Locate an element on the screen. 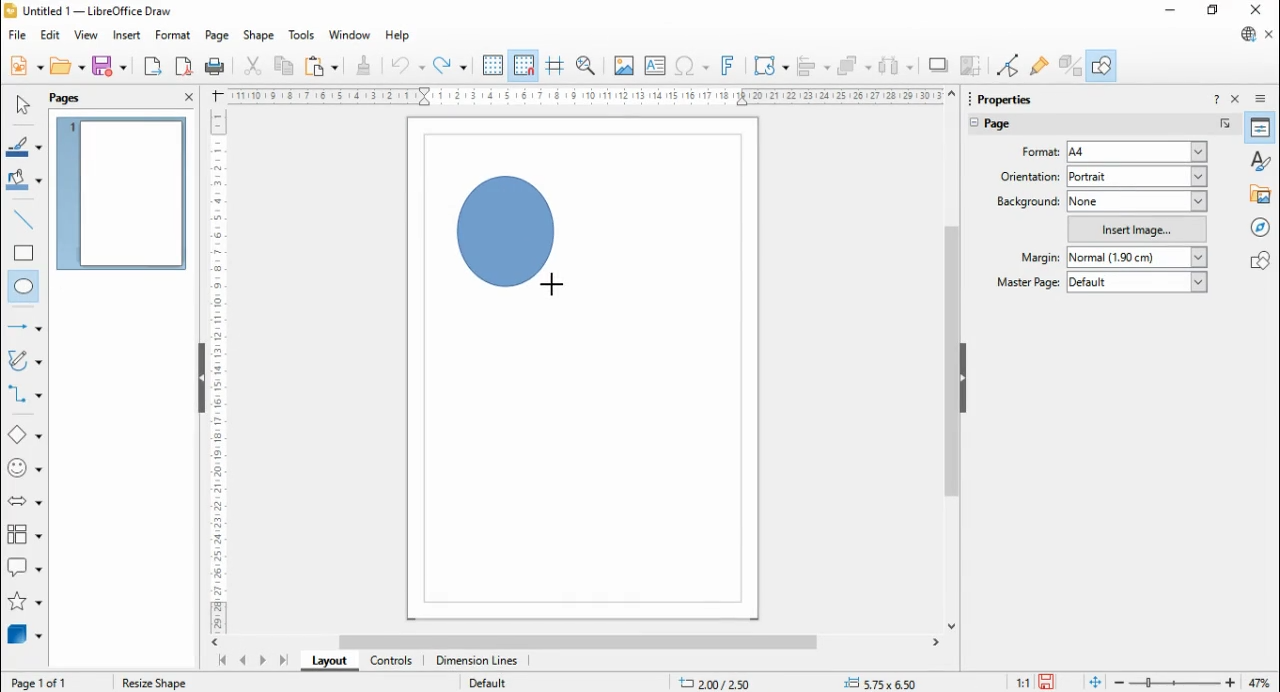  sidebar deck settings is located at coordinates (1262, 99).